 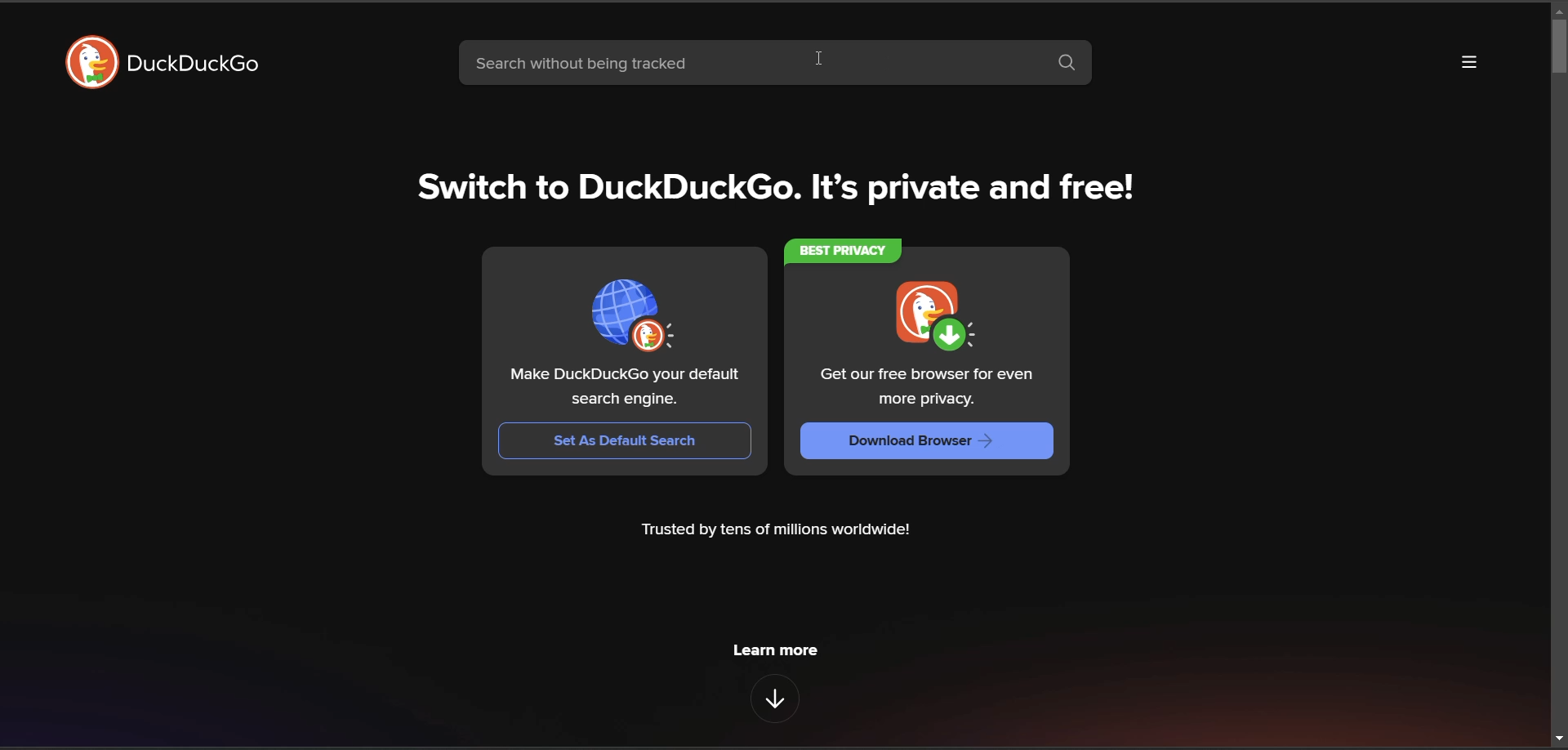 I want to click on Get our free browser for even more privacy., so click(x=920, y=387).